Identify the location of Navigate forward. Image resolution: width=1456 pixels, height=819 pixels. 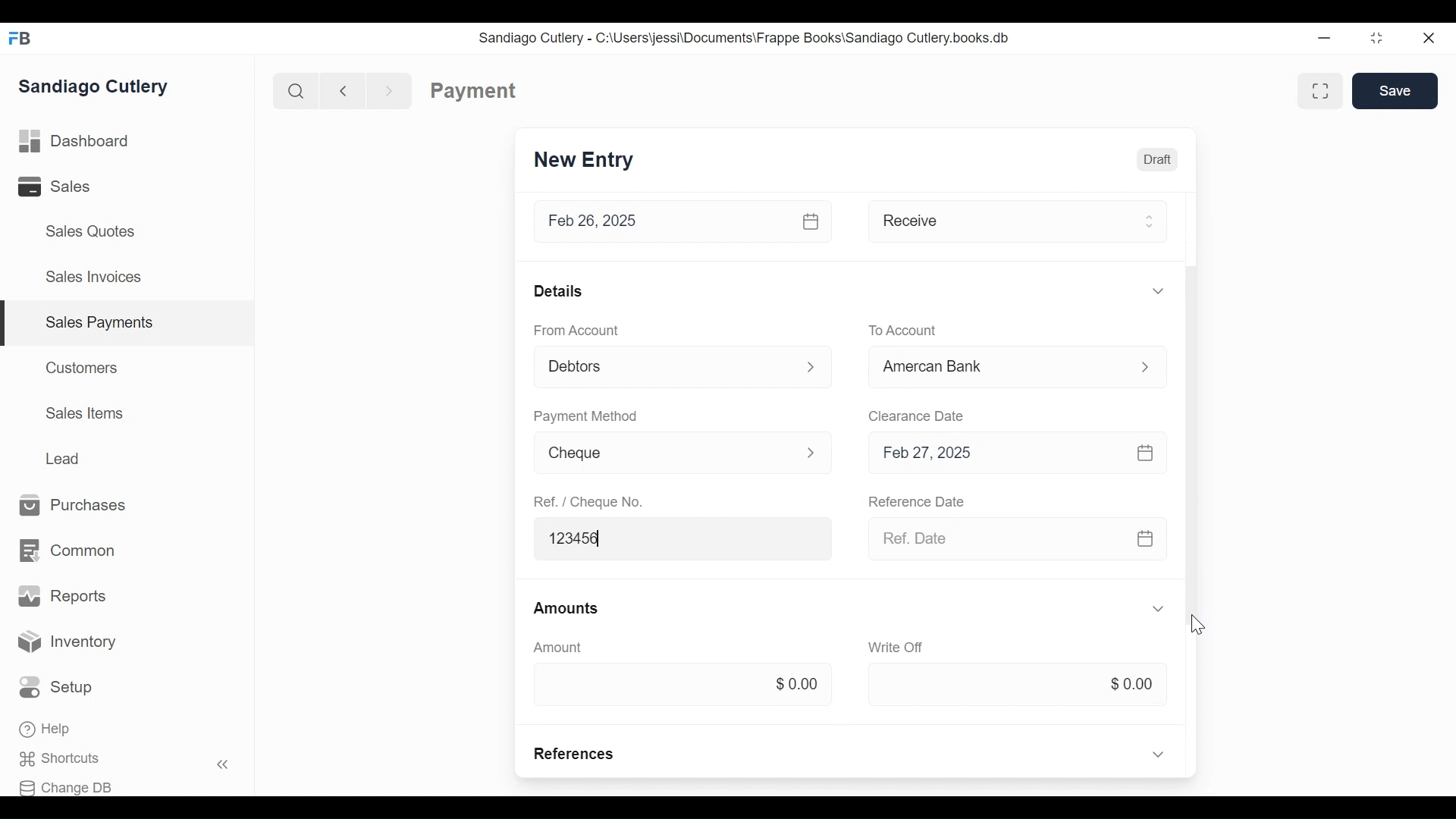
(390, 89).